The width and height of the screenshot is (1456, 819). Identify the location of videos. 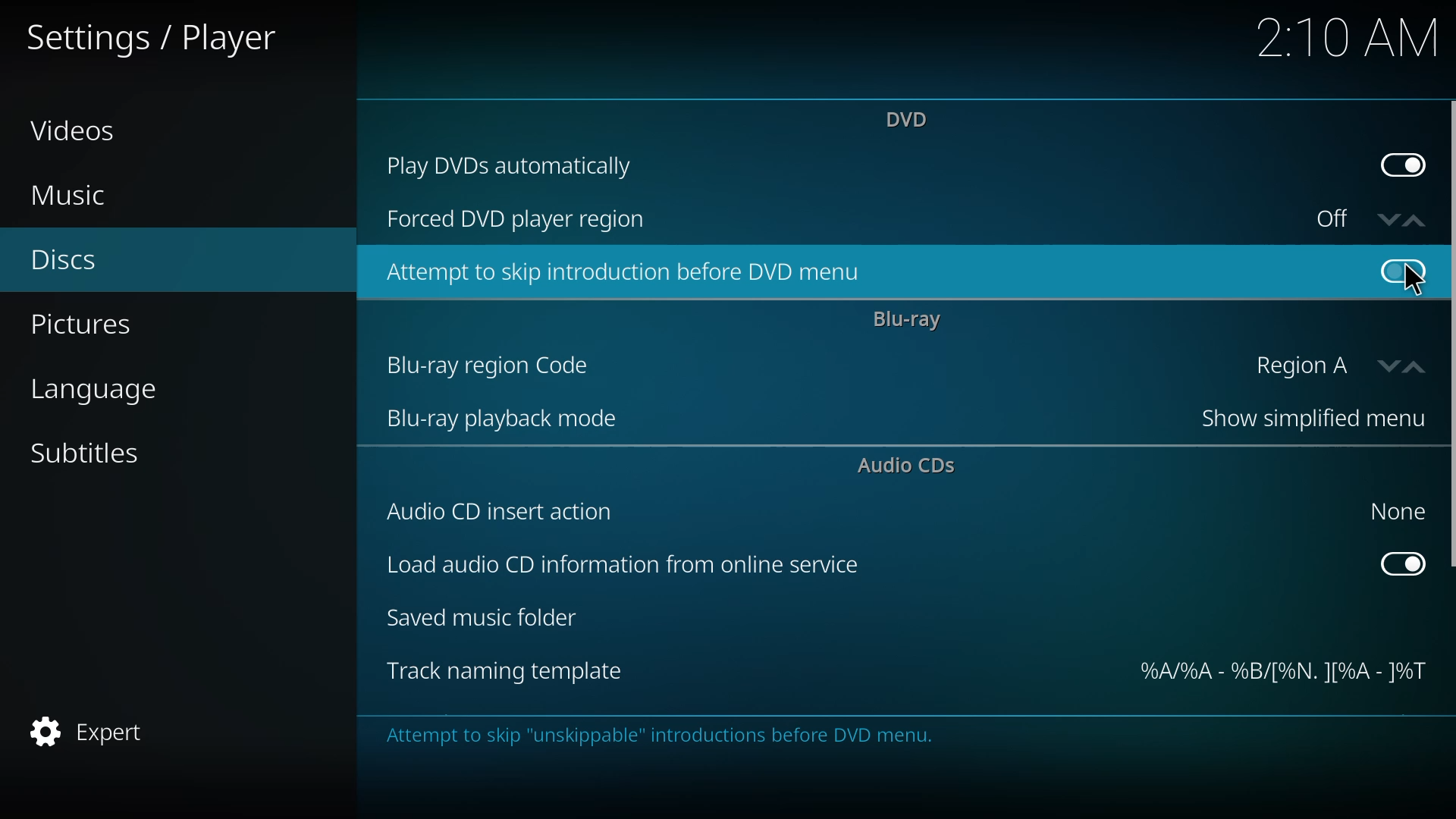
(75, 130).